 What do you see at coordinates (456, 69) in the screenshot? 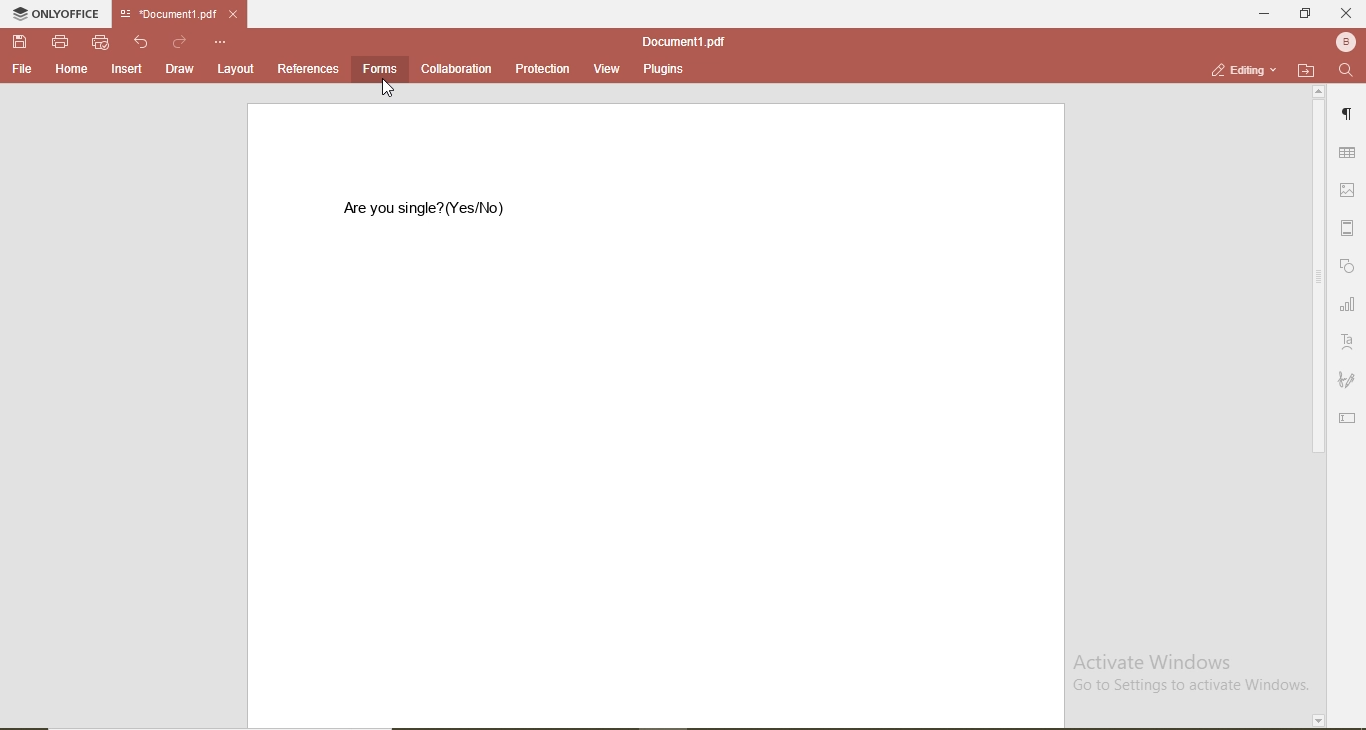
I see `collaboration` at bounding box center [456, 69].